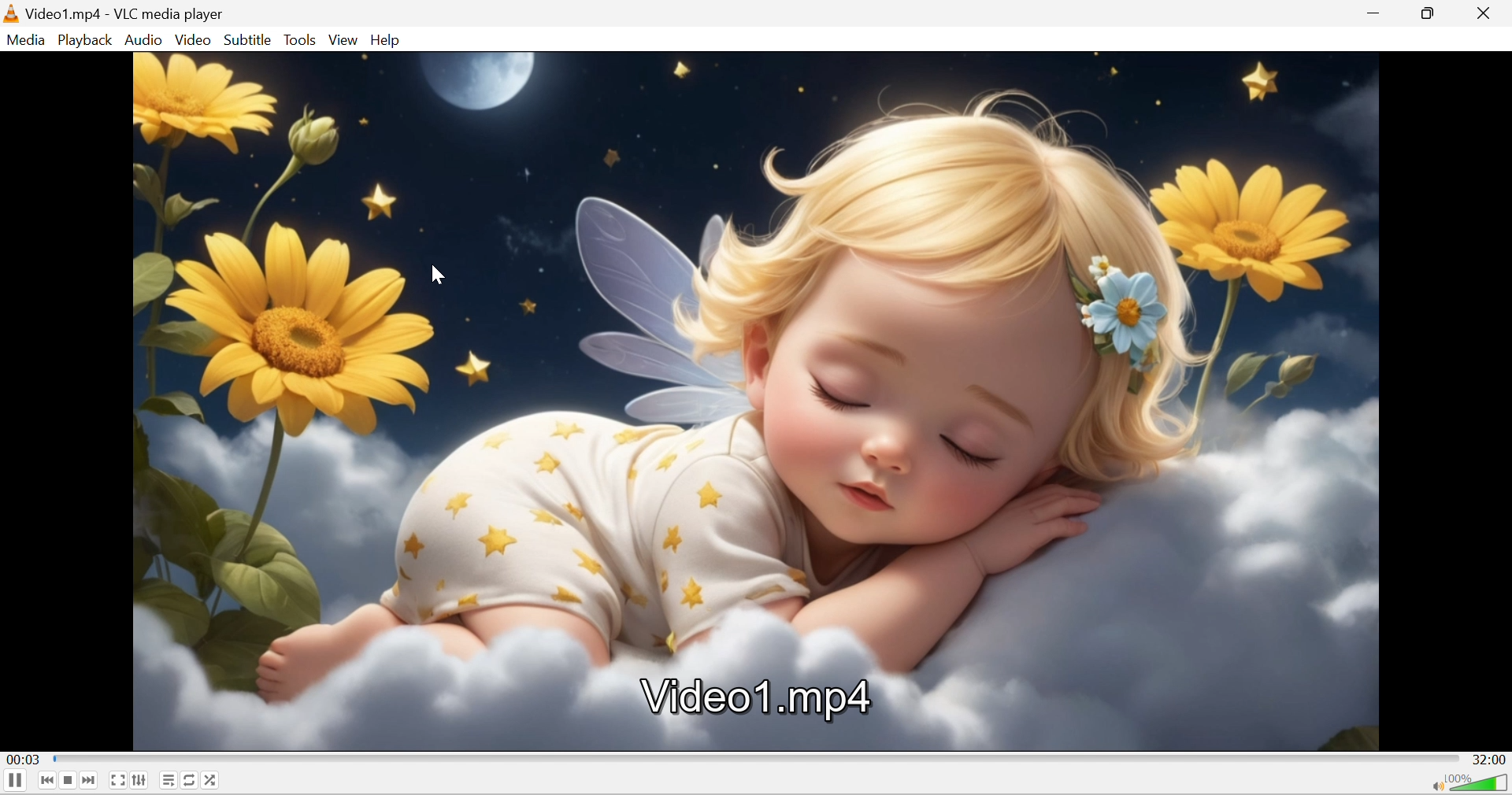 Image resolution: width=1512 pixels, height=795 pixels. I want to click on Help, so click(387, 41).